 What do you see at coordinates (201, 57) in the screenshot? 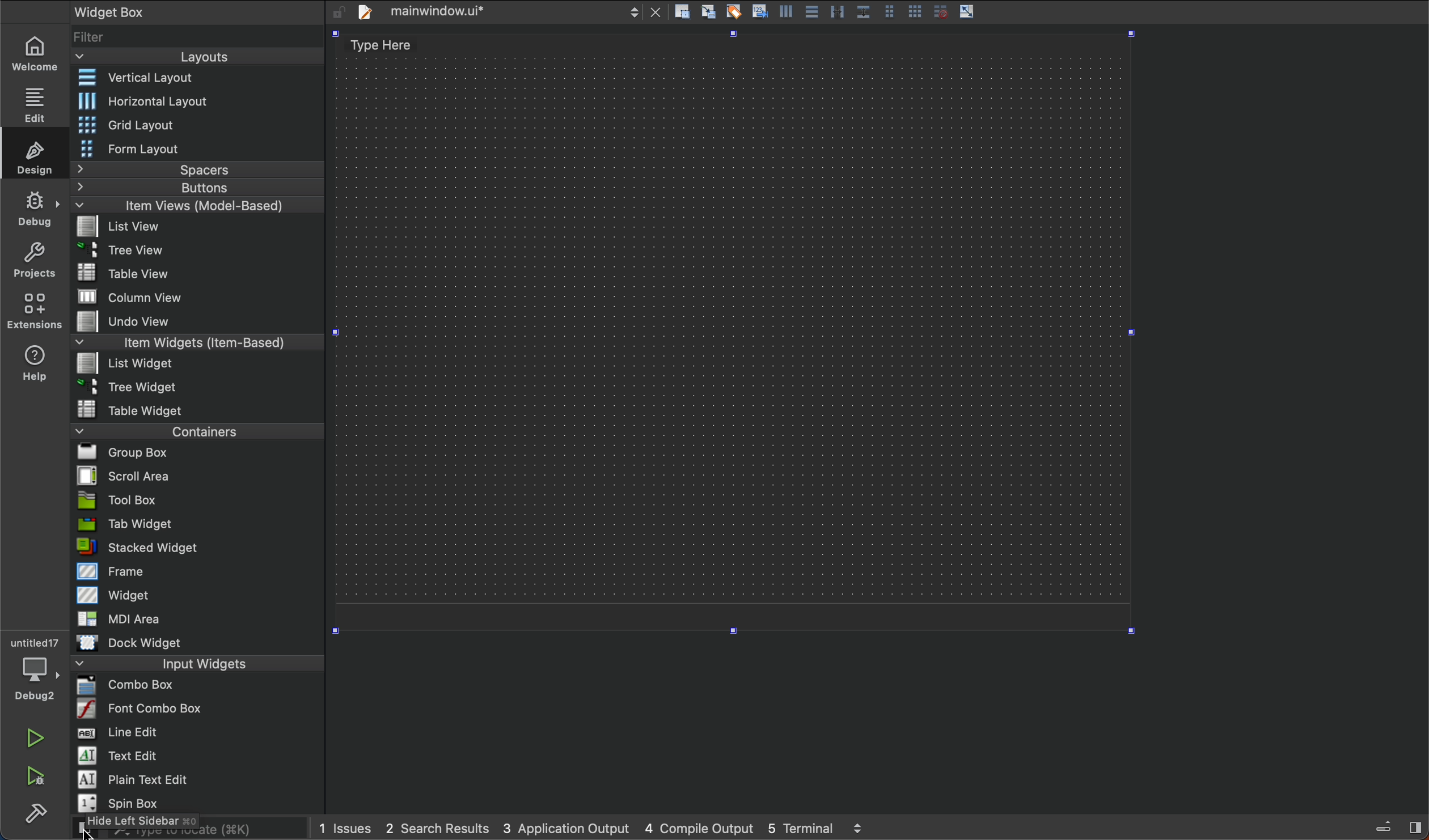
I see `Layouts` at bounding box center [201, 57].